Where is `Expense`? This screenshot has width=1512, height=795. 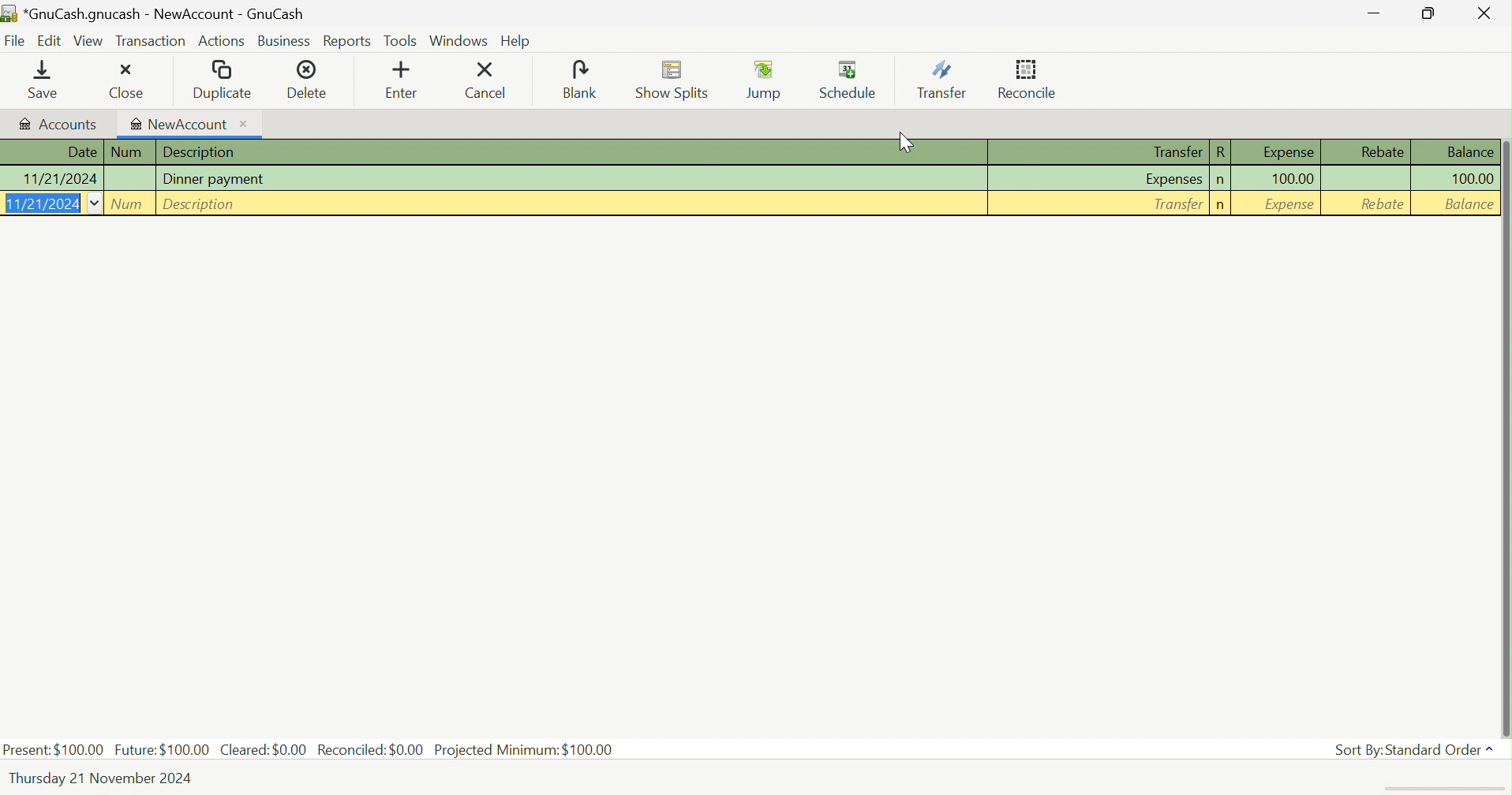
Expense is located at coordinates (1286, 153).